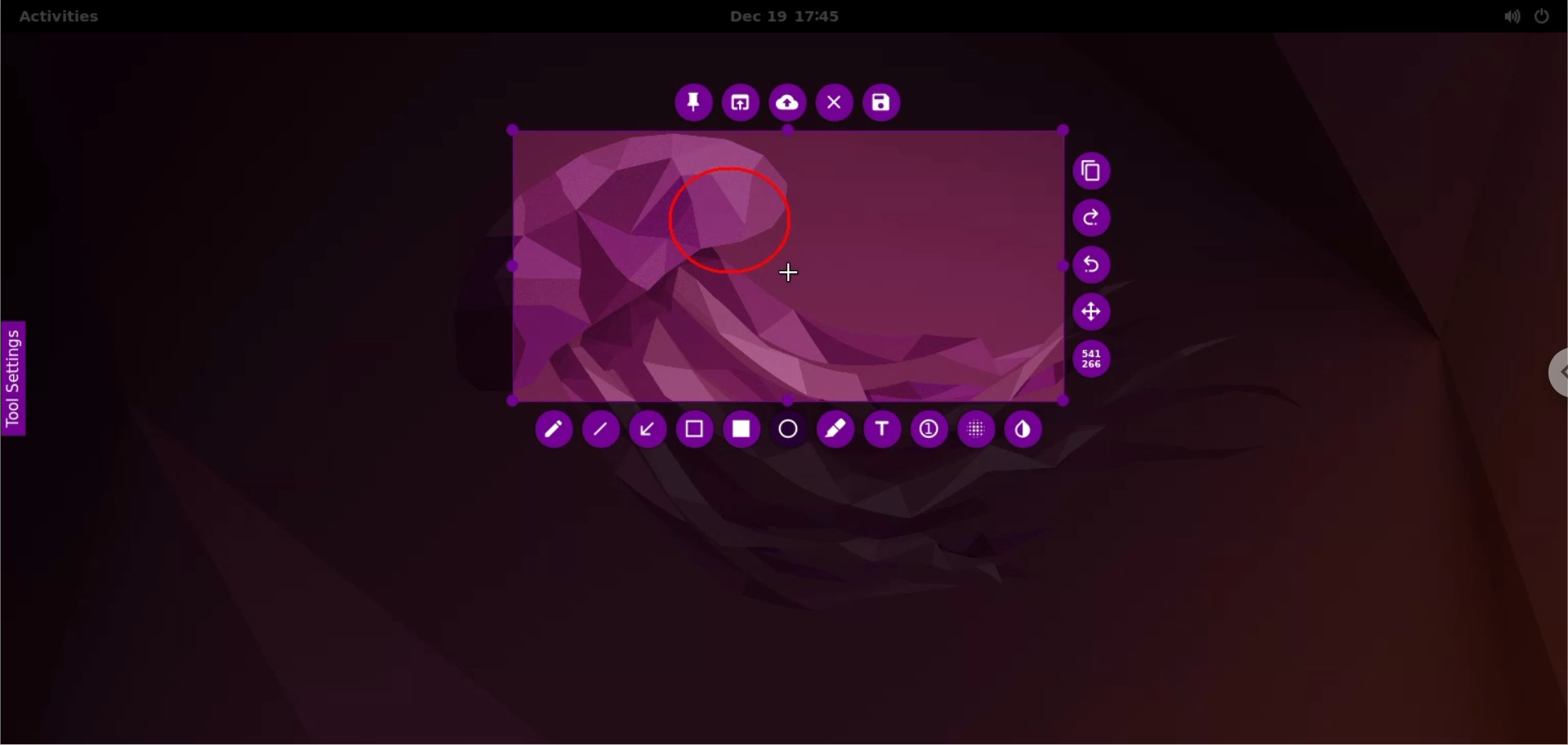 Image resolution: width=1568 pixels, height=745 pixels. What do you see at coordinates (728, 214) in the screenshot?
I see `circle` at bounding box center [728, 214].